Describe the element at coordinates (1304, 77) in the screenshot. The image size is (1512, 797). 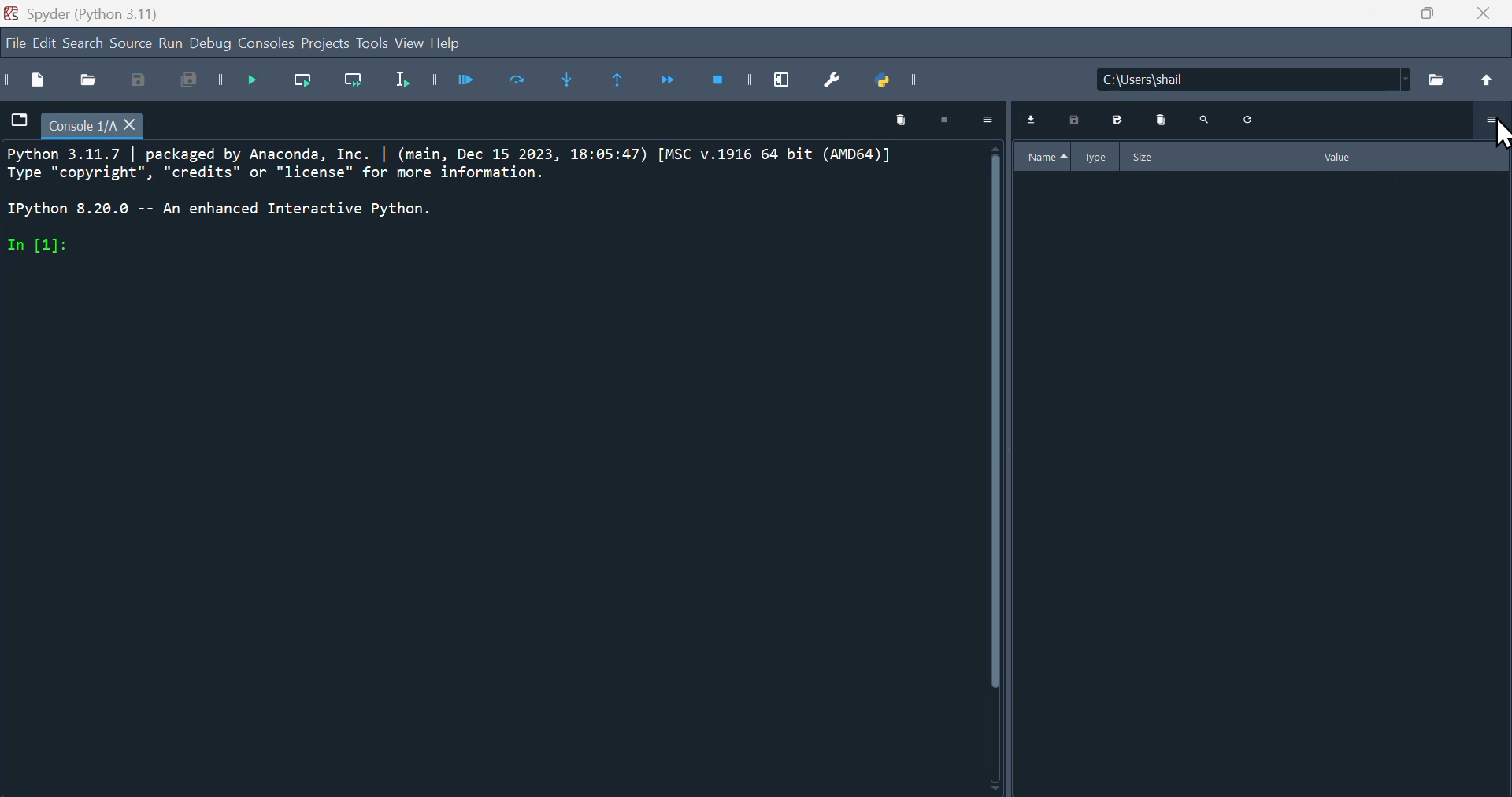
I see `Name of the file` at that location.